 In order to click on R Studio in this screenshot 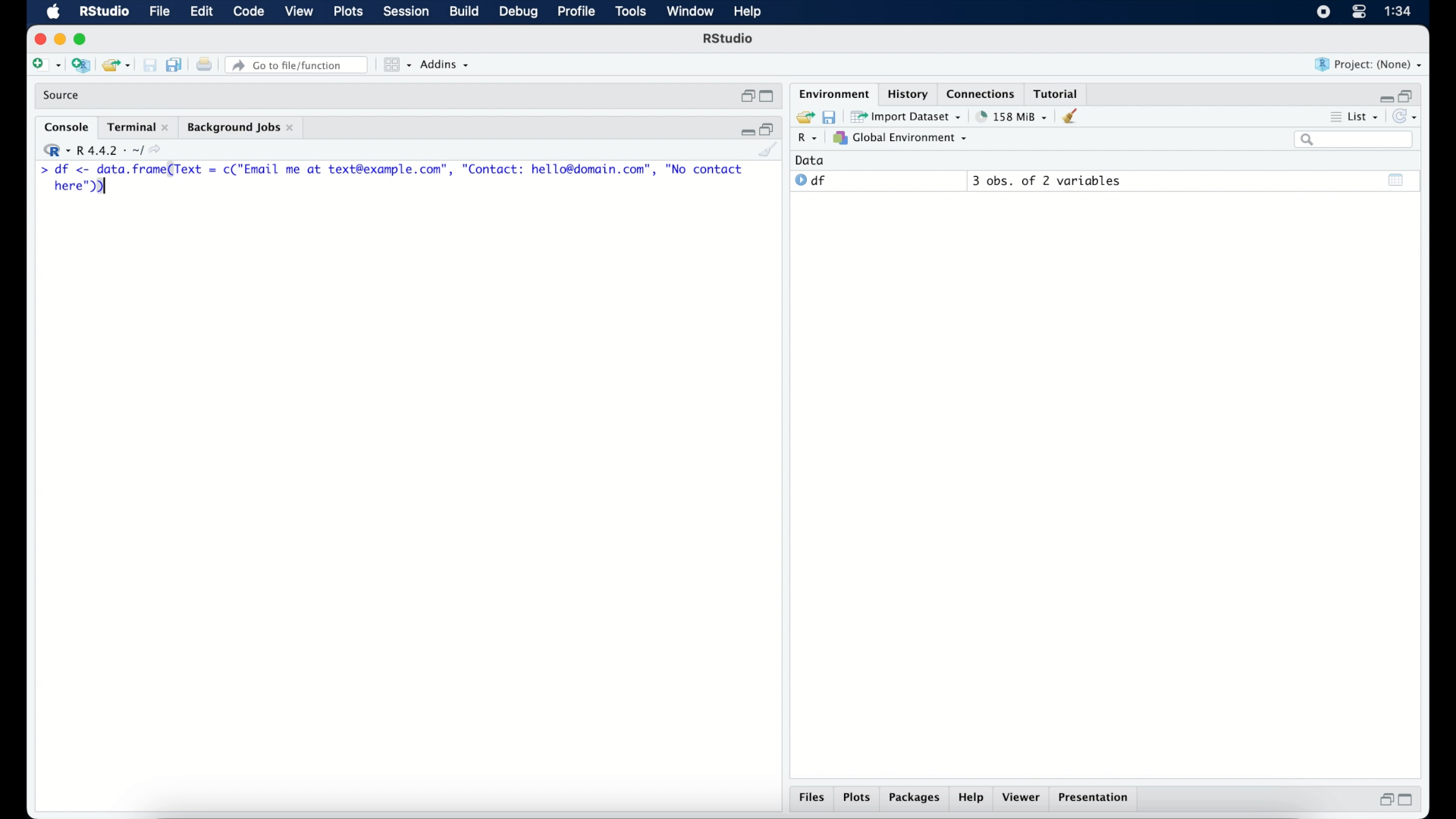, I will do `click(730, 40)`.